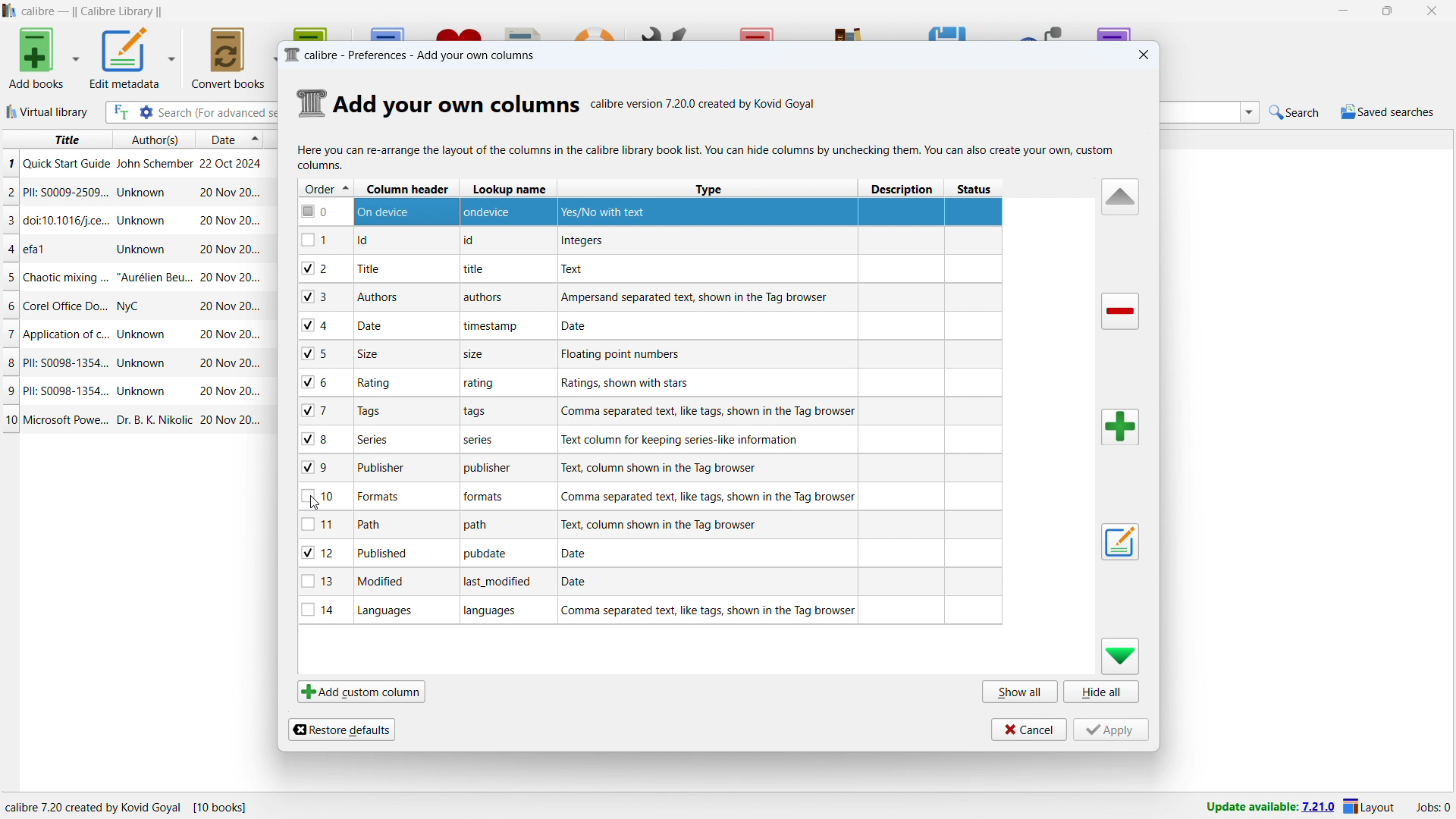 This screenshot has height=819, width=1456. What do you see at coordinates (1121, 427) in the screenshot?
I see `add column` at bounding box center [1121, 427].